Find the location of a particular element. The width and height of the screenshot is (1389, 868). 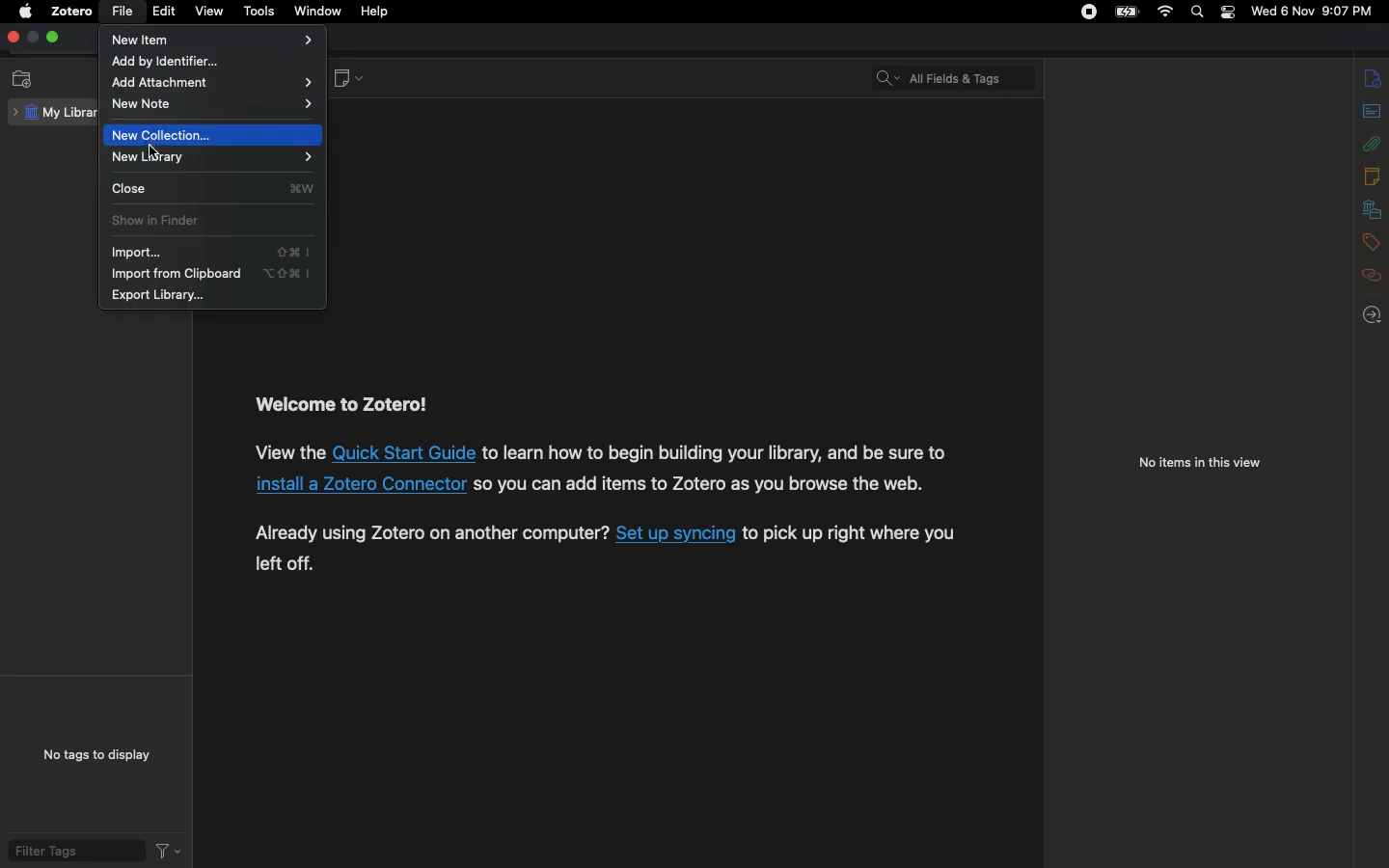

Already using Zotero on another computer? is located at coordinates (432, 532).